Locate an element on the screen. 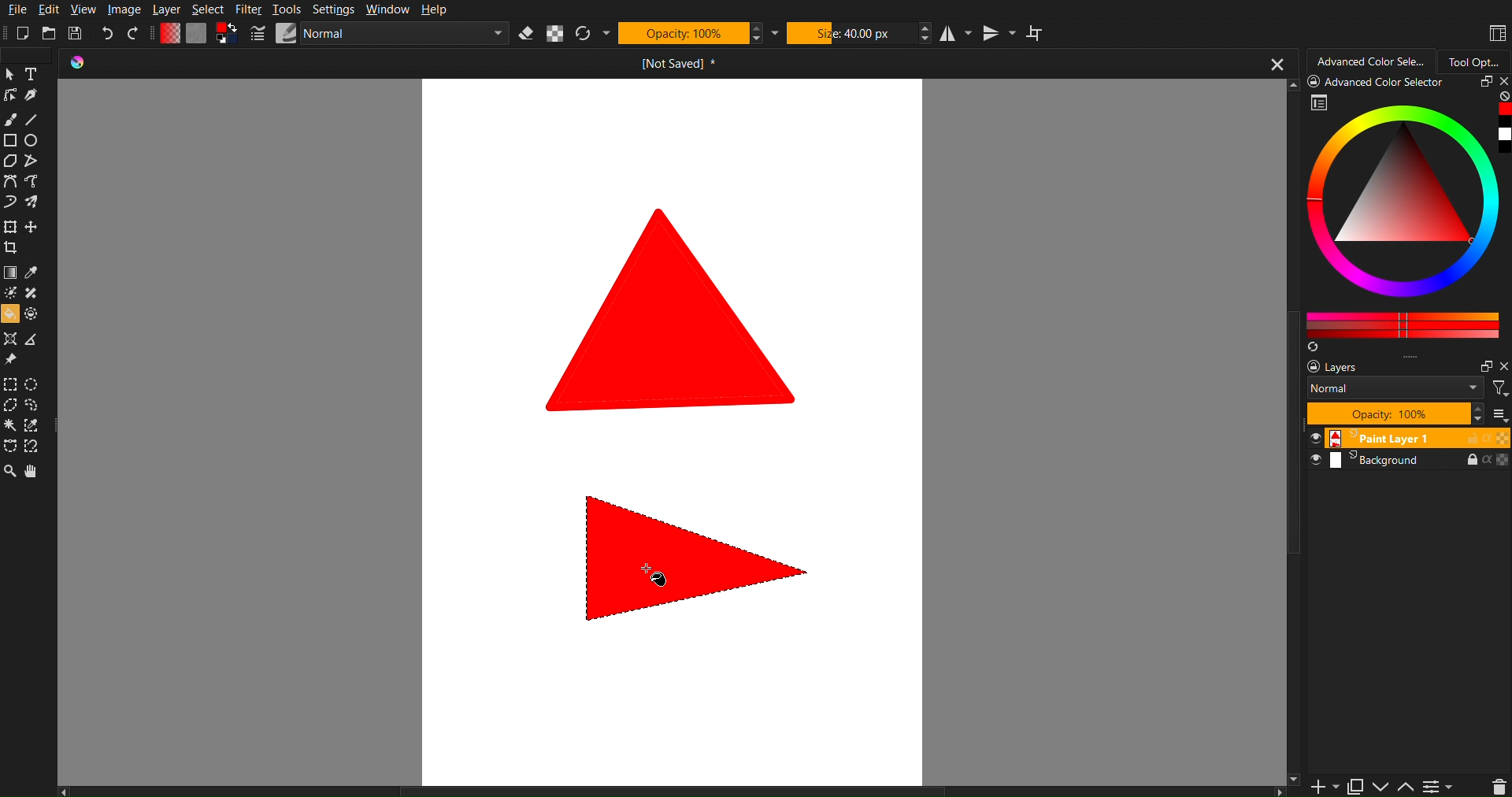 This screenshot has width=1512, height=797. Shape is located at coordinates (675, 308).